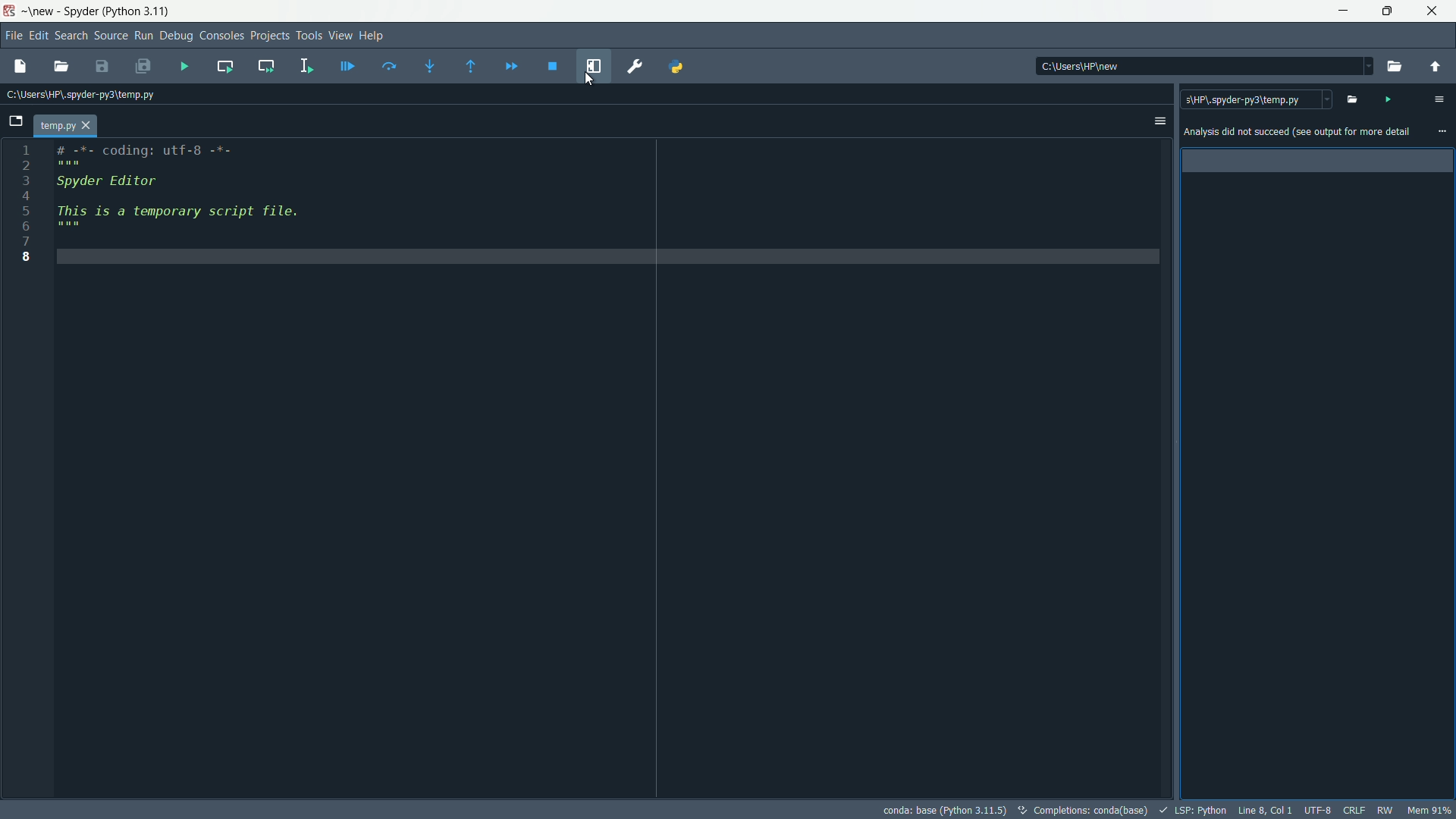 The width and height of the screenshot is (1456, 819). What do you see at coordinates (65, 127) in the screenshot?
I see `temp.py` at bounding box center [65, 127].